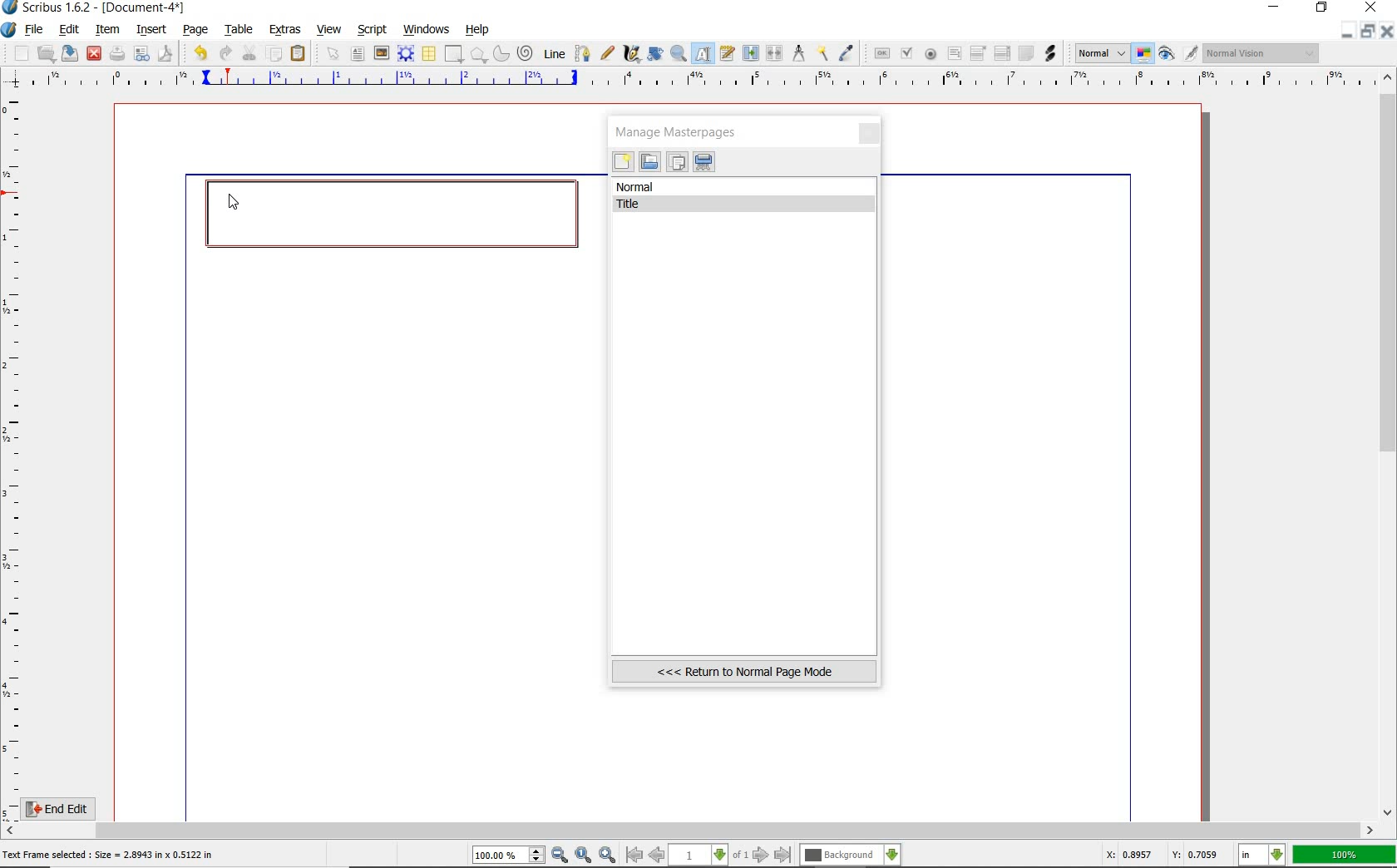  What do you see at coordinates (740, 856) in the screenshot?
I see `of 1` at bounding box center [740, 856].